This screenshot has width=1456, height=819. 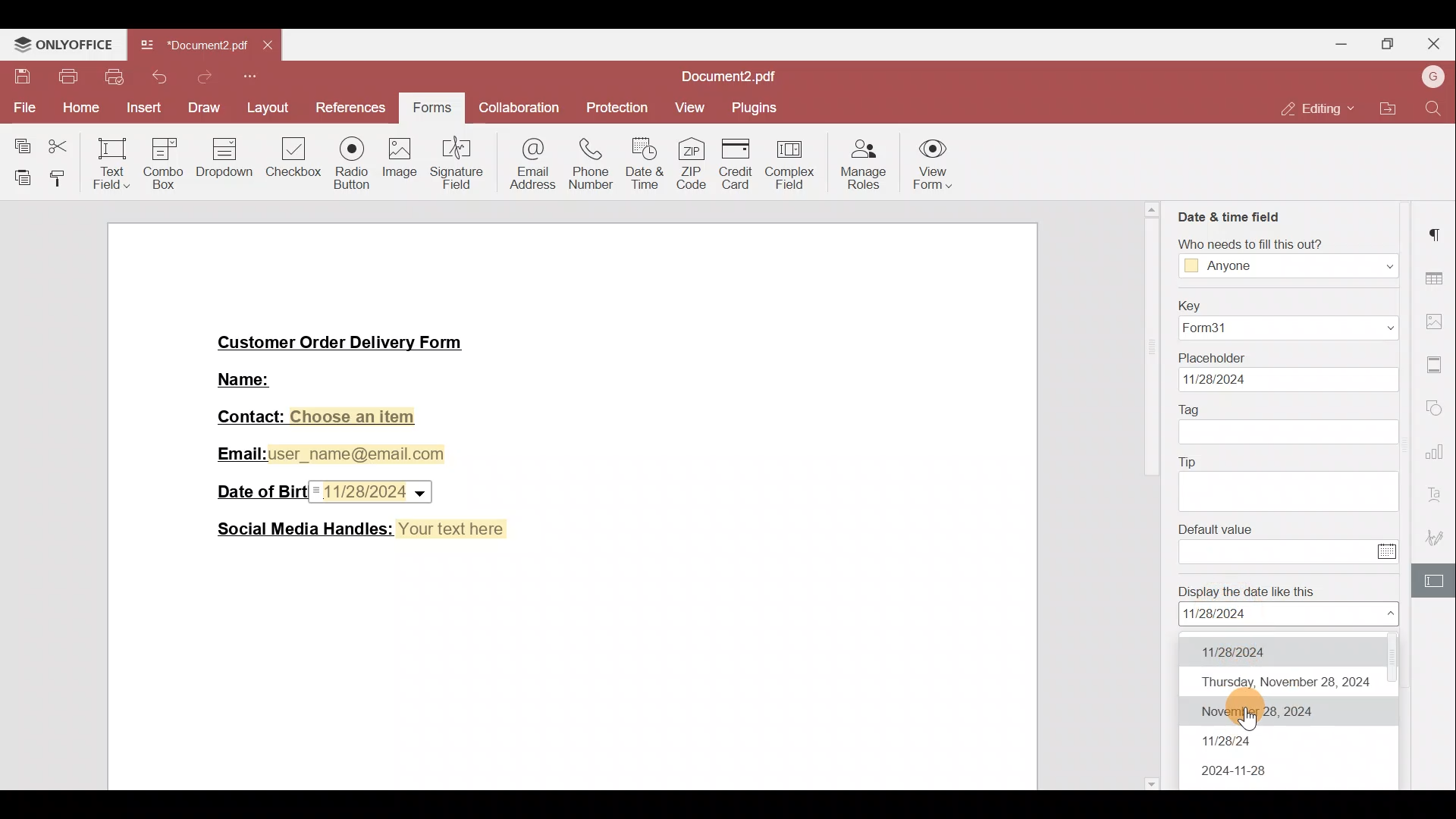 What do you see at coordinates (1341, 46) in the screenshot?
I see `Minimise` at bounding box center [1341, 46].